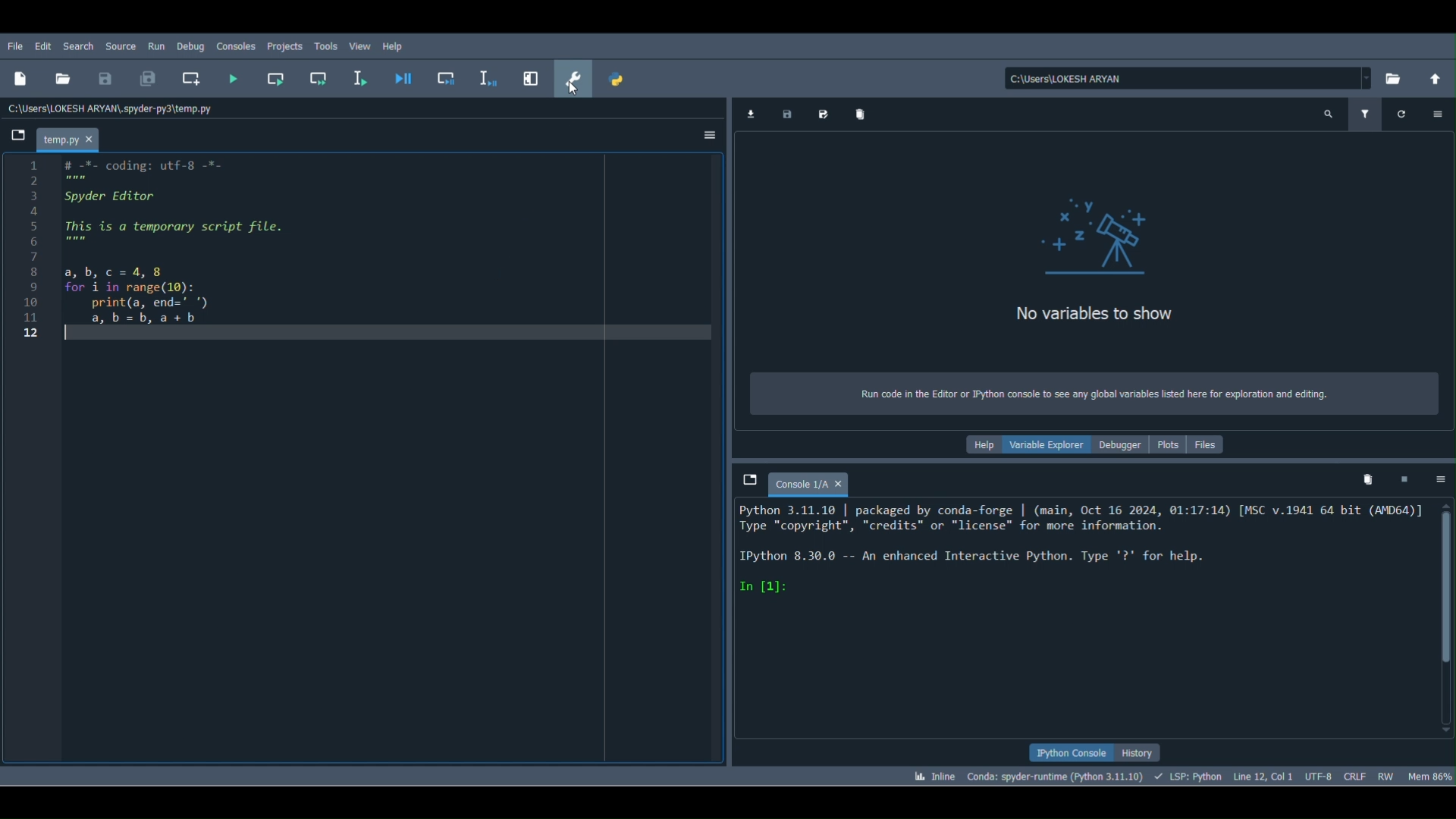 The image size is (1456, 819). What do you see at coordinates (536, 80) in the screenshot?
I see `Maximize current pane (Ctrl + Alt + Shift + M)` at bounding box center [536, 80].